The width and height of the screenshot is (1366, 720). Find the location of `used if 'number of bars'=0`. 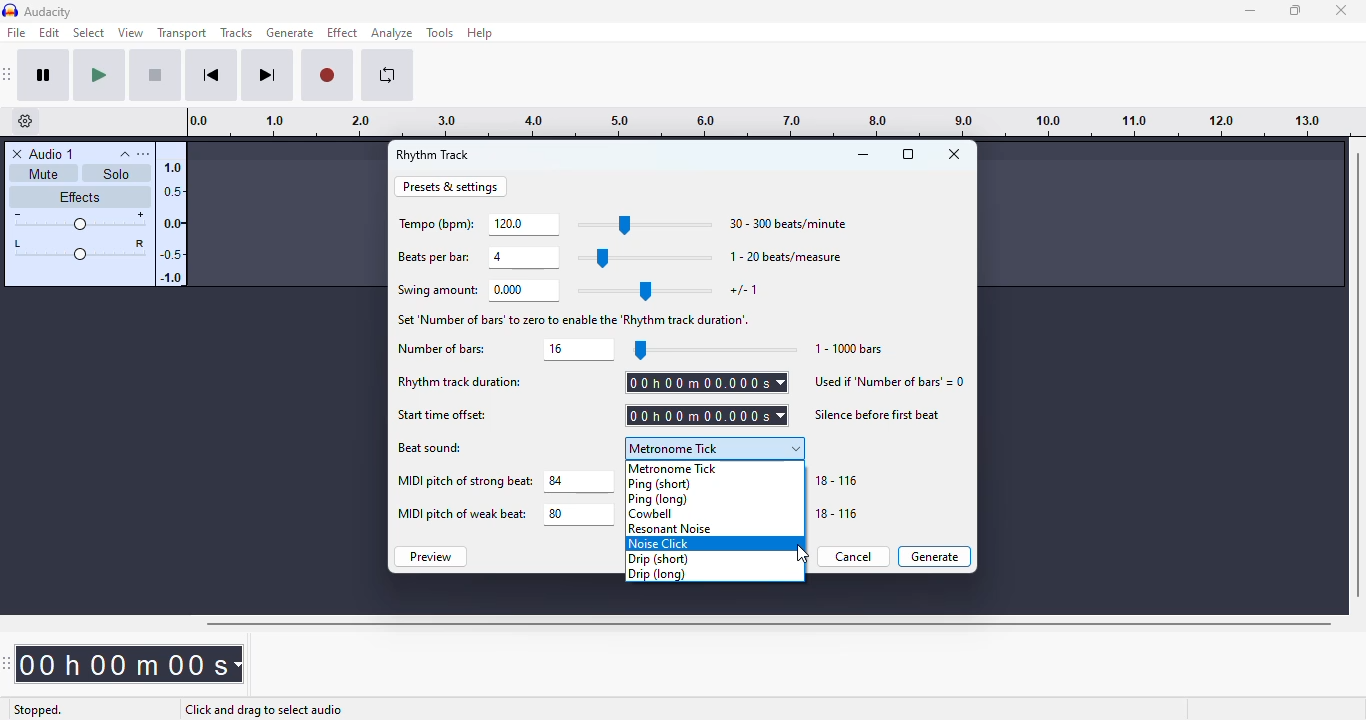

used if 'number of bars'=0 is located at coordinates (890, 381).